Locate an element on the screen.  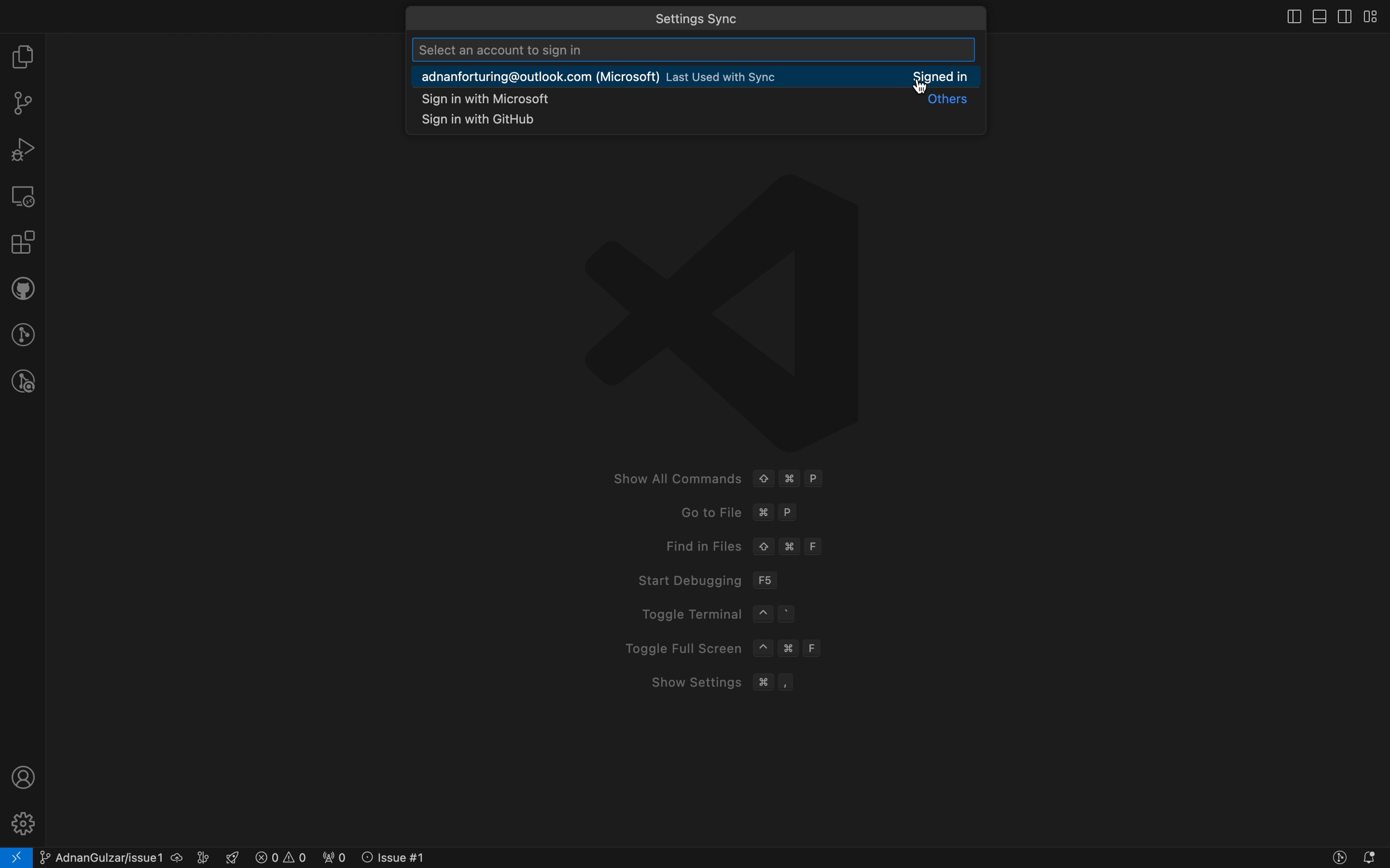
welcome screen is located at coordinates (724, 553).